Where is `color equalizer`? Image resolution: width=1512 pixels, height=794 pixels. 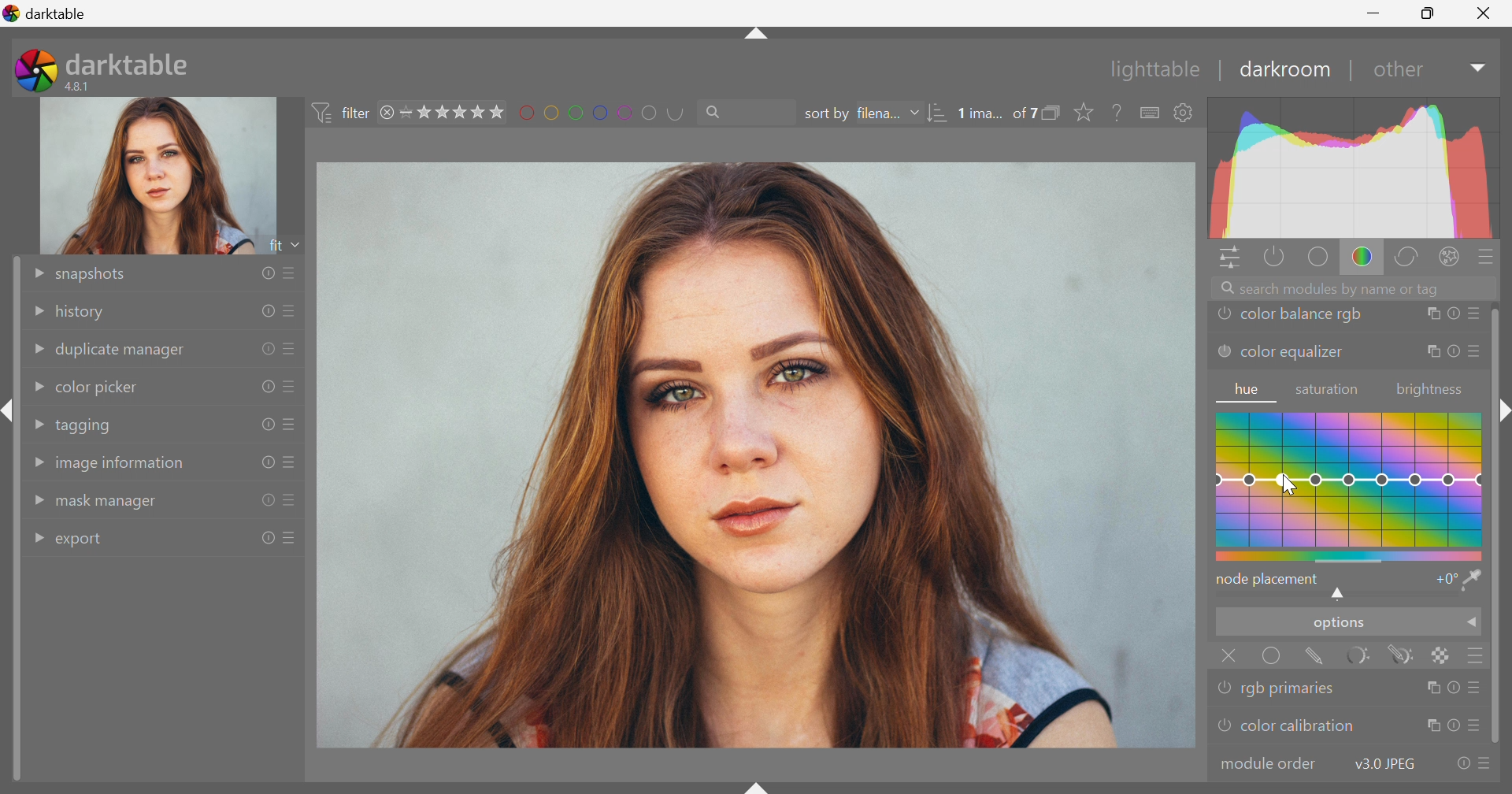
color equalizer is located at coordinates (1293, 355).